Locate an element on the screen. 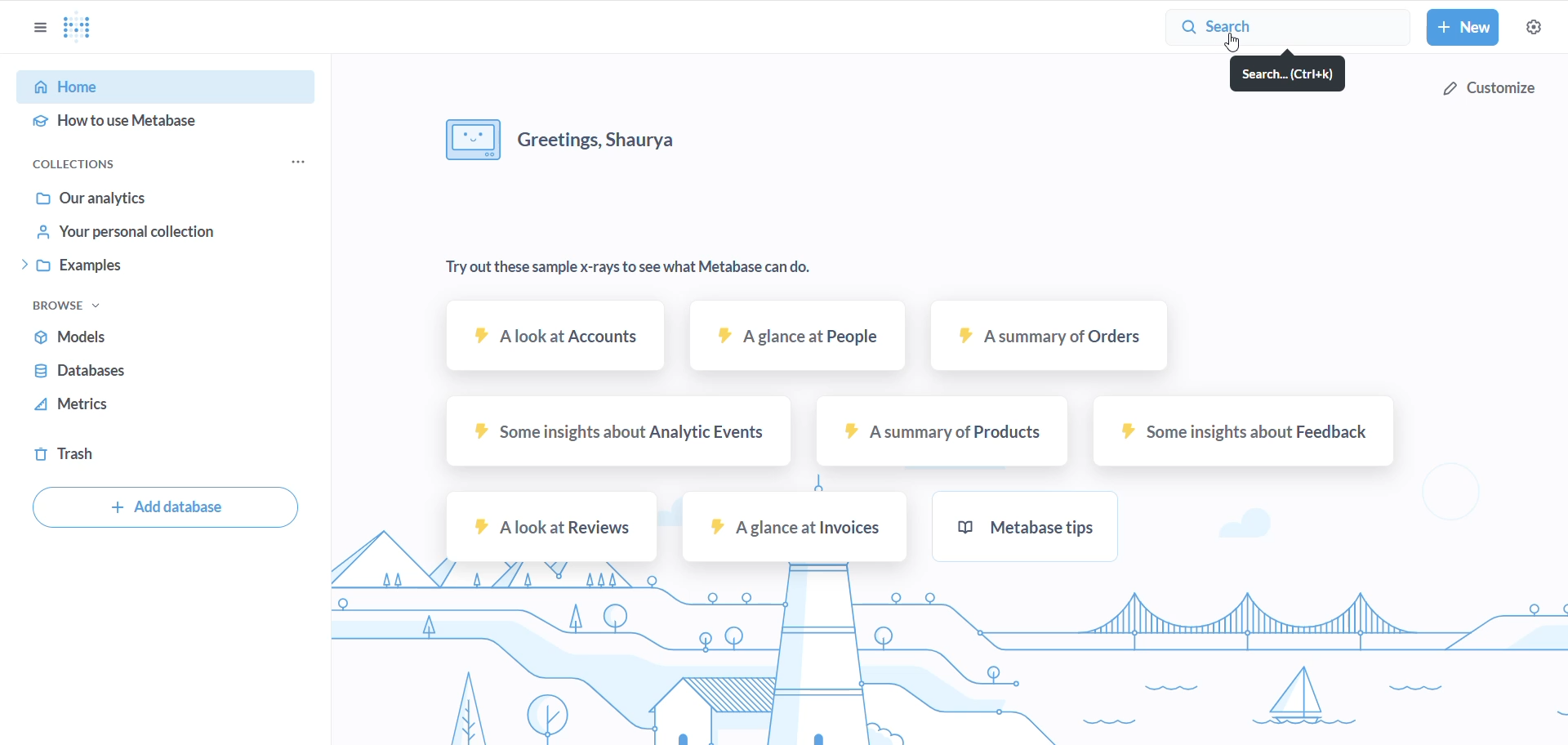  some insights about analytic events sample is located at coordinates (610, 433).